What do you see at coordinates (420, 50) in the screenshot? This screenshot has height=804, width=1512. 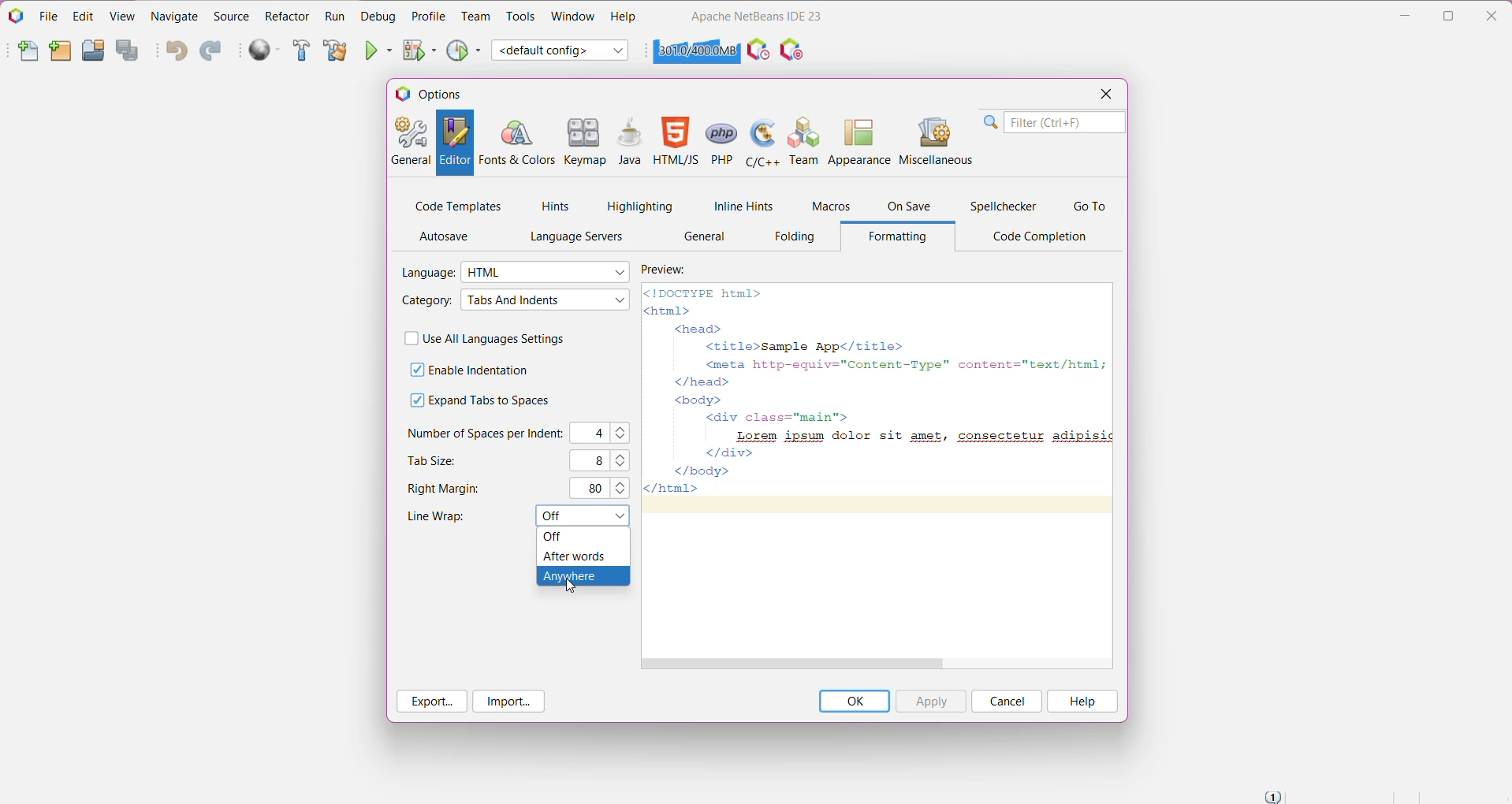 I see `Debug Project` at bounding box center [420, 50].